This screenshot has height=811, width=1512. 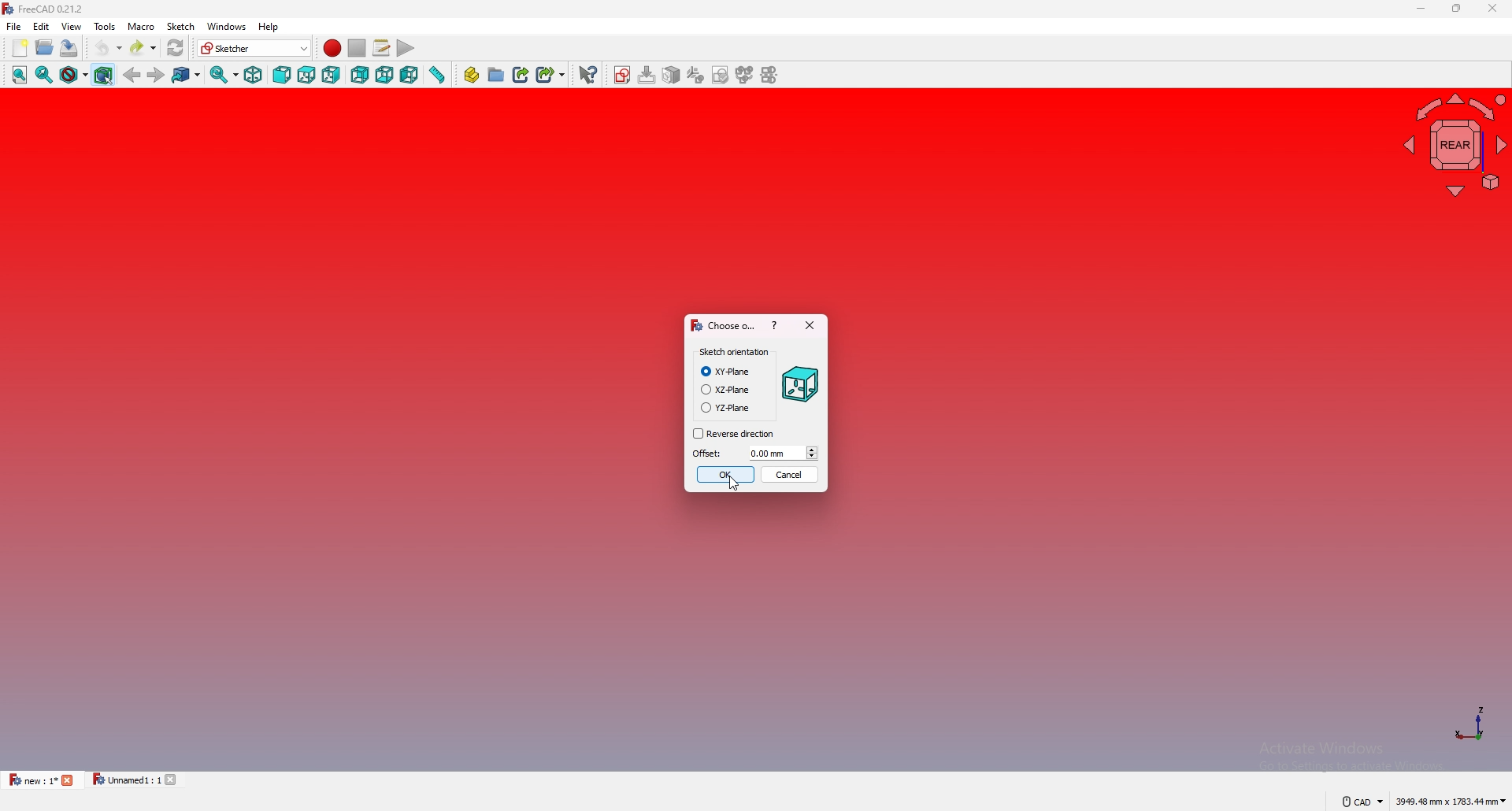 What do you see at coordinates (157, 74) in the screenshot?
I see `forward` at bounding box center [157, 74].